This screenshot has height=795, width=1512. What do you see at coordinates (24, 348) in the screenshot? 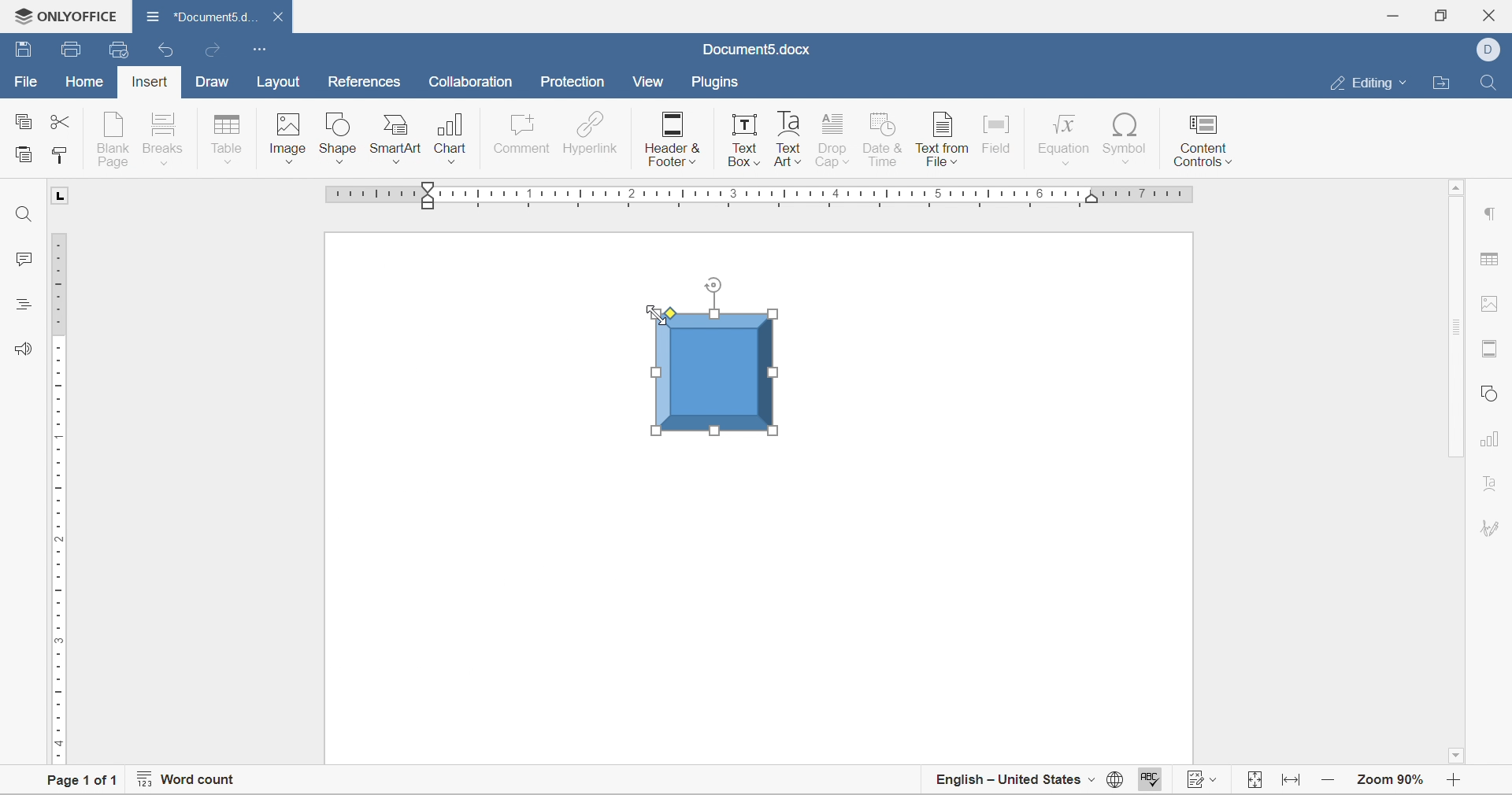
I see `feedback and support` at bounding box center [24, 348].